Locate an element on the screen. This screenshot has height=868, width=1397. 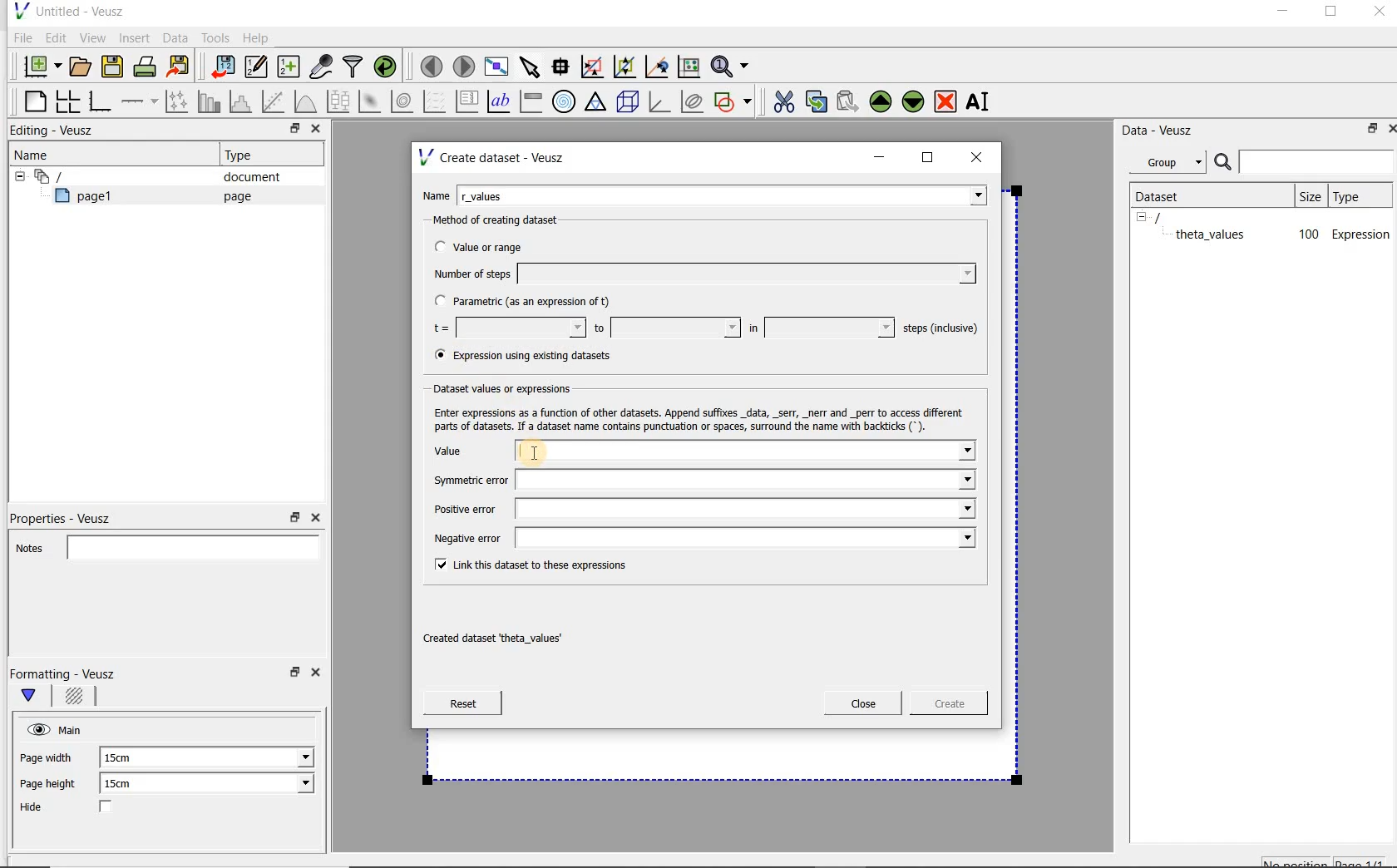
Edit is located at coordinates (55, 37).